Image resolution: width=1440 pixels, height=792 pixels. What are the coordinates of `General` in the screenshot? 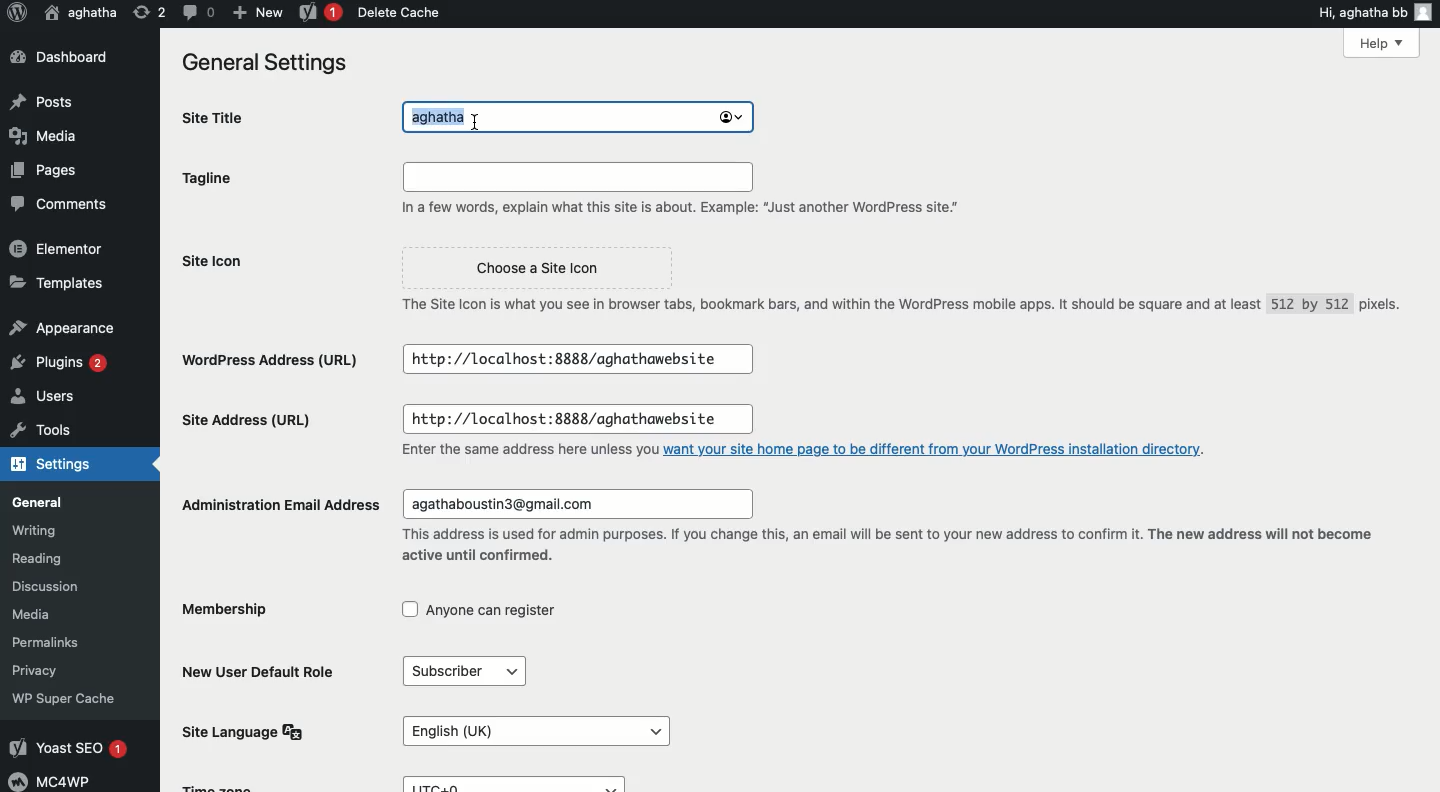 It's located at (38, 502).